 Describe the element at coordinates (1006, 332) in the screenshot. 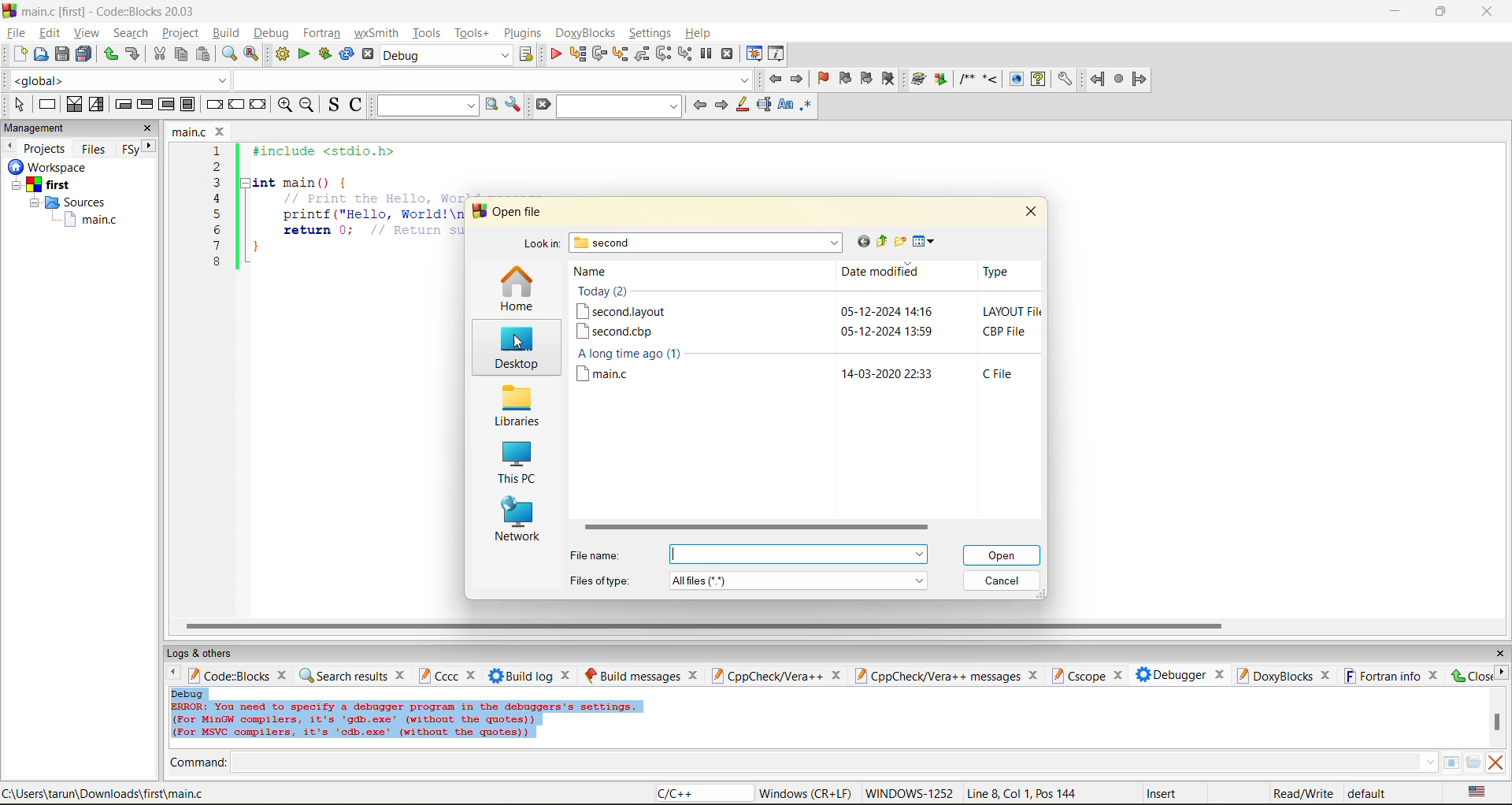

I see `file type` at that location.